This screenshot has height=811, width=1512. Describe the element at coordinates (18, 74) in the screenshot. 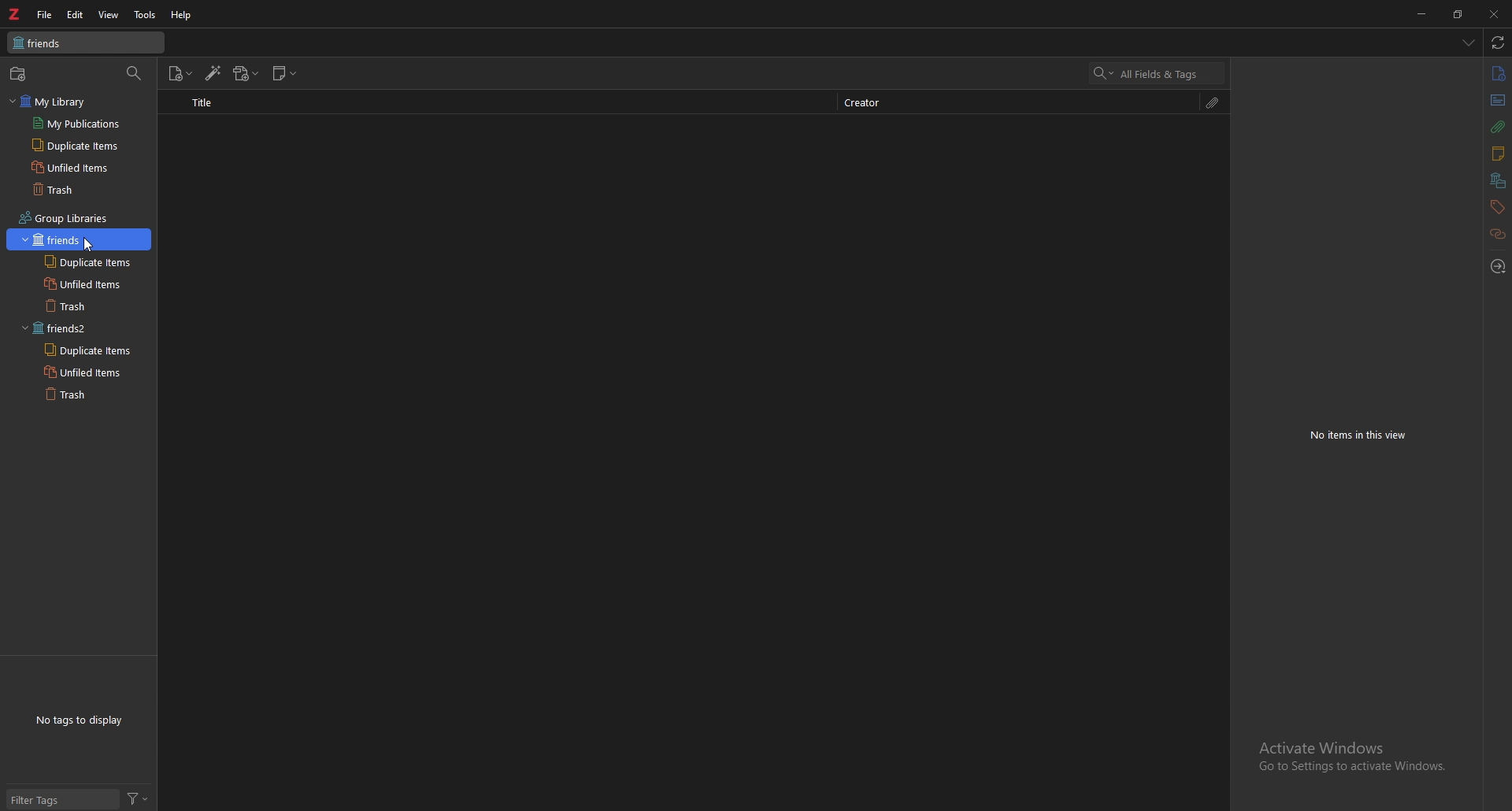

I see `new collection` at that location.